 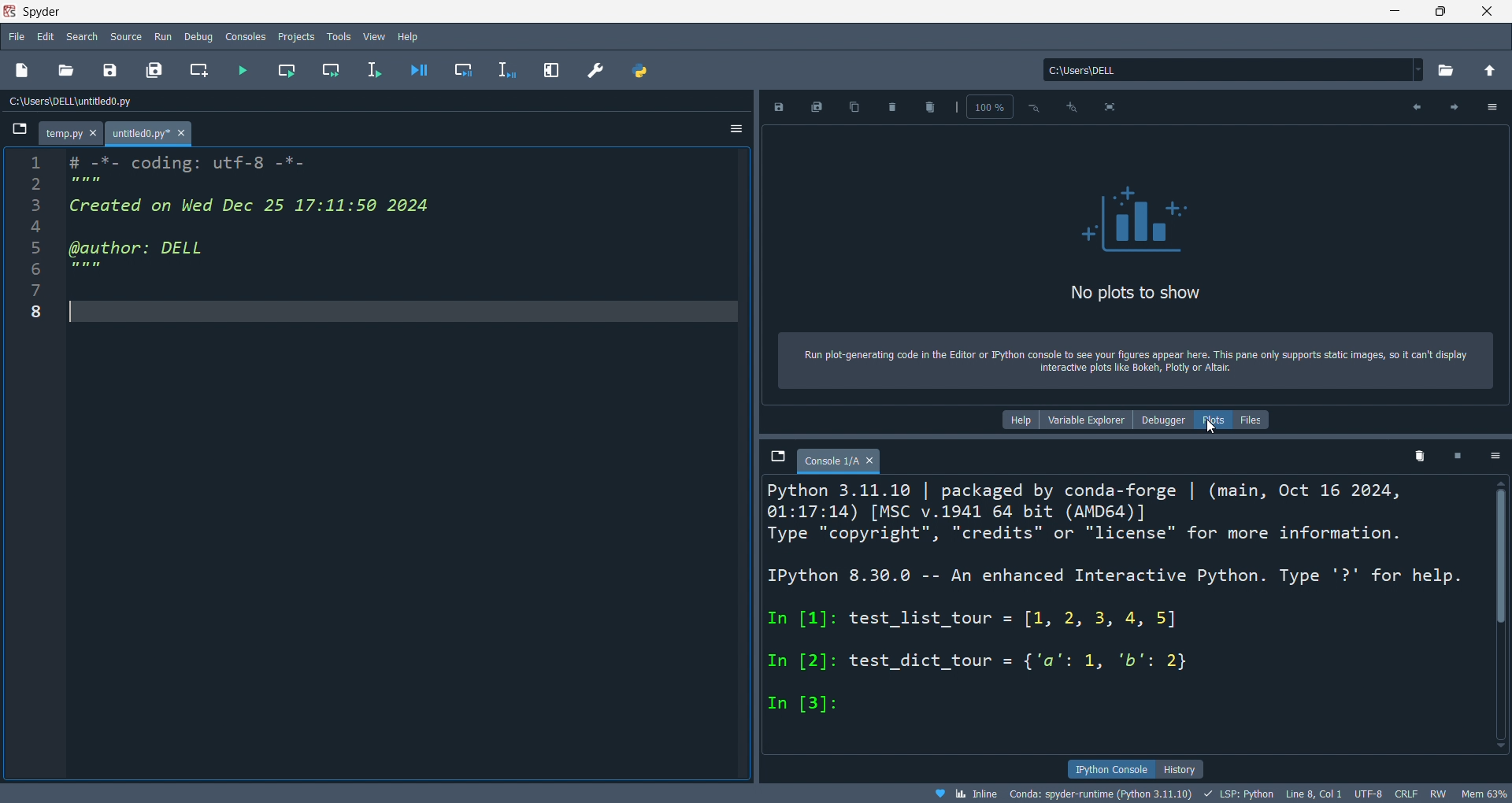 What do you see at coordinates (853, 108) in the screenshot?
I see `copy all` at bounding box center [853, 108].